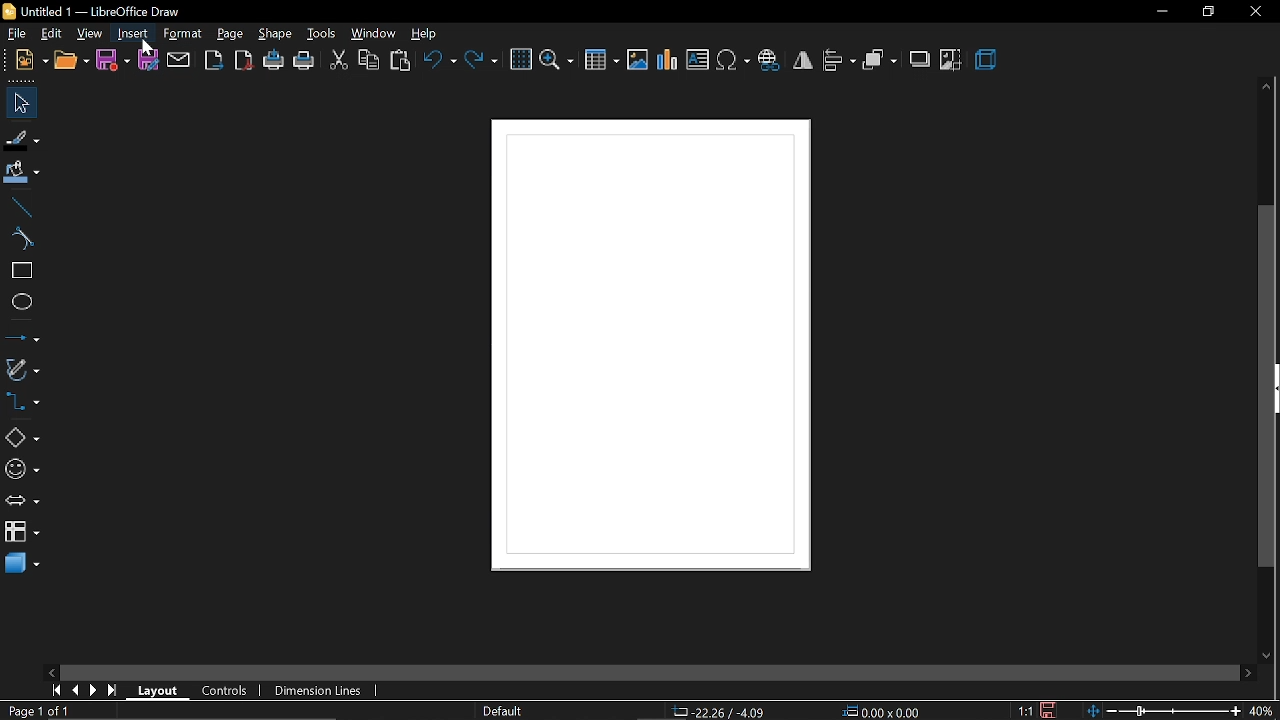 The height and width of the screenshot is (720, 1280). What do you see at coordinates (113, 62) in the screenshot?
I see `save` at bounding box center [113, 62].